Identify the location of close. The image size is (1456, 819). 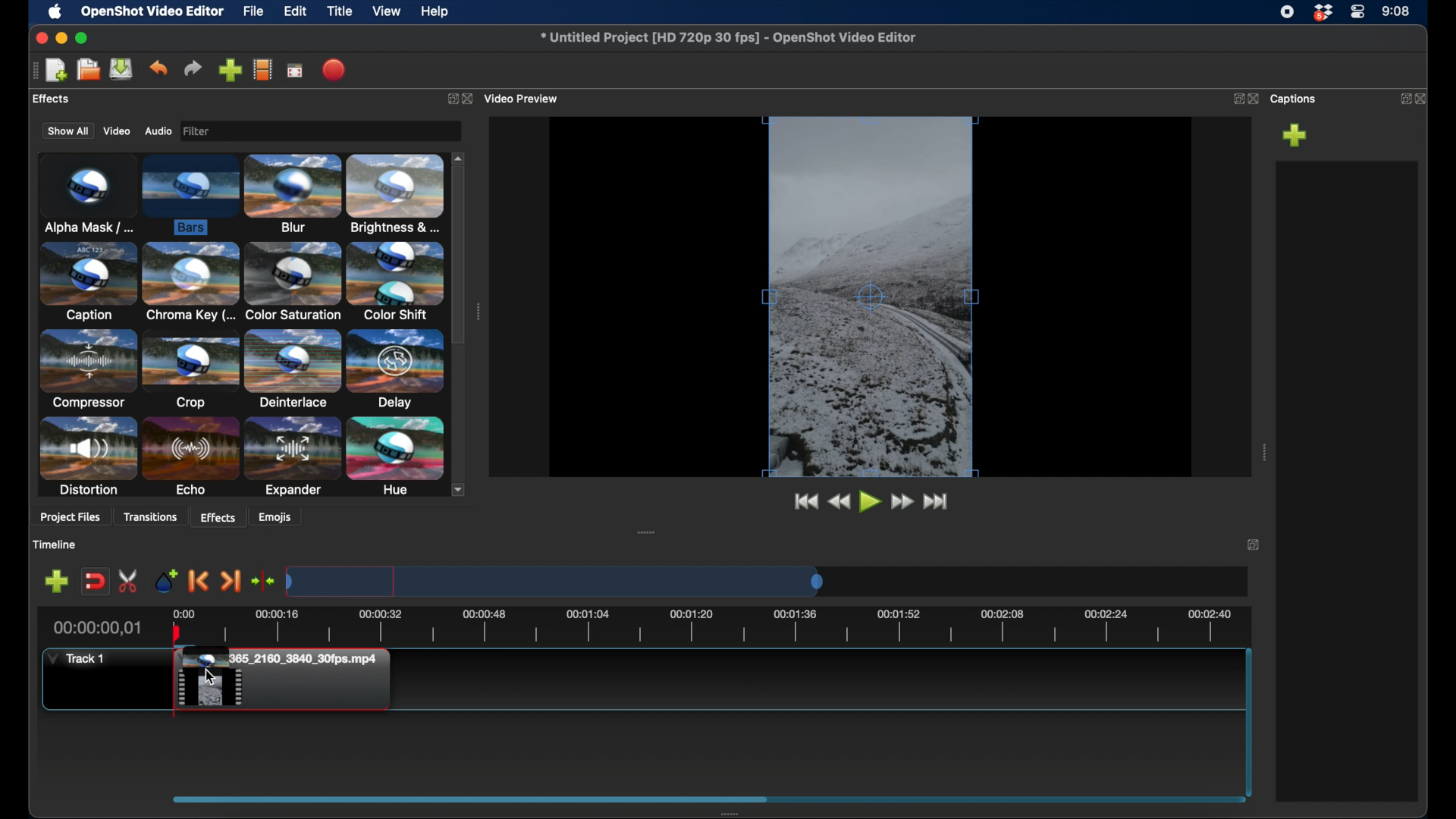
(1424, 97).